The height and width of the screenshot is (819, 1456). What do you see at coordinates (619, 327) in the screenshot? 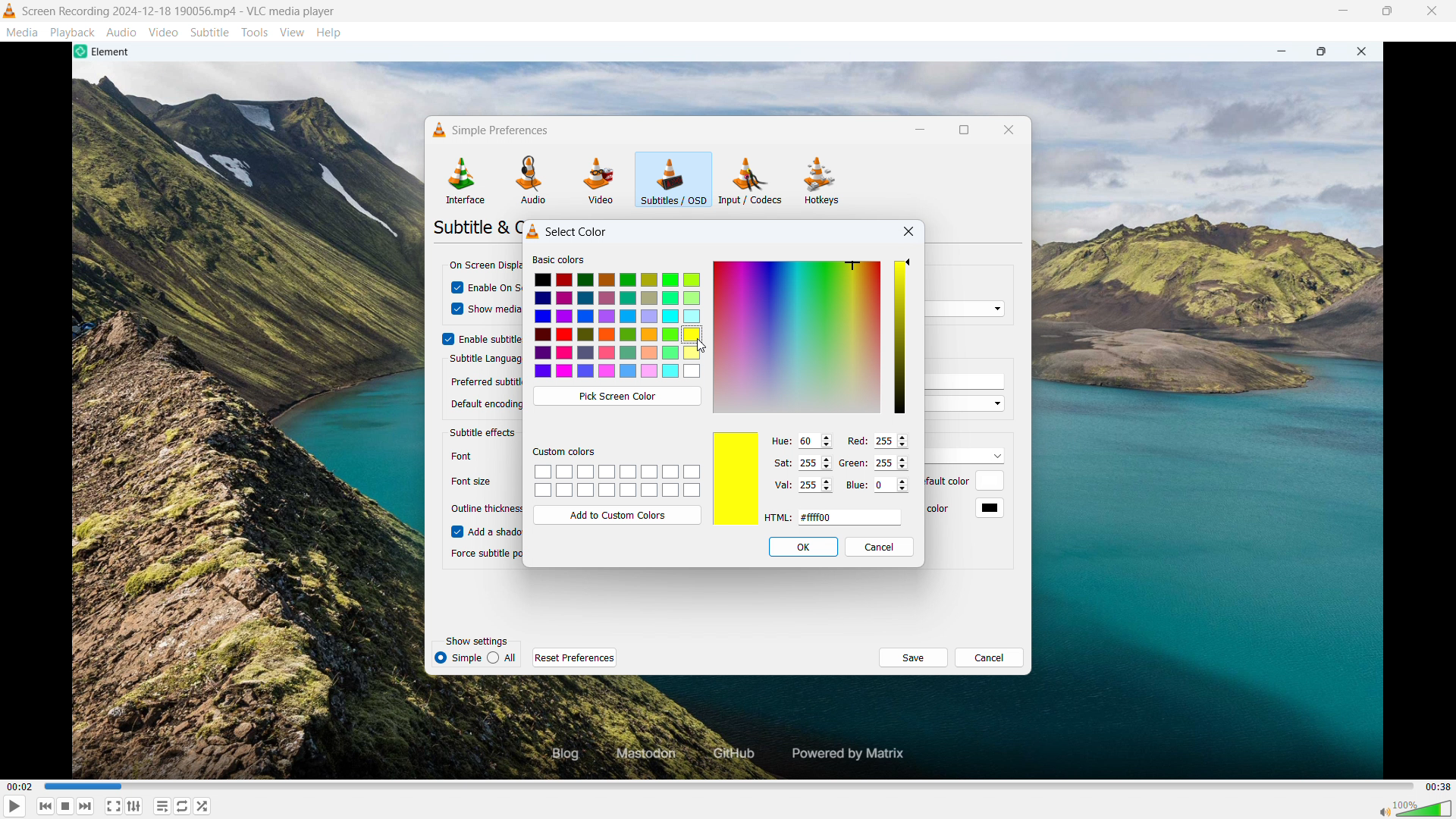
I see `Colours to select from ` at bounding box center [619, 327].